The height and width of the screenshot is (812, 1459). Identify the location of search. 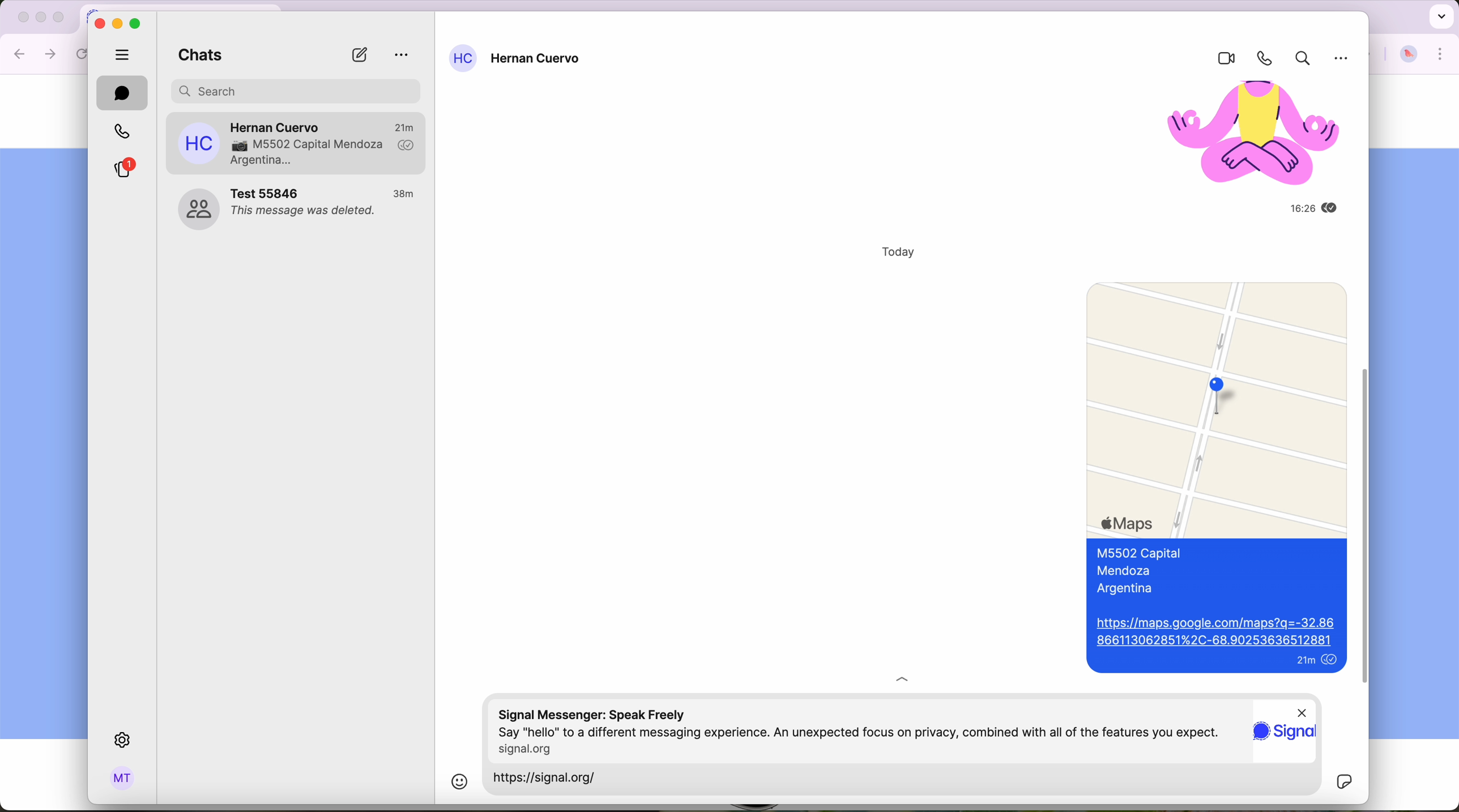
(1300, 60).